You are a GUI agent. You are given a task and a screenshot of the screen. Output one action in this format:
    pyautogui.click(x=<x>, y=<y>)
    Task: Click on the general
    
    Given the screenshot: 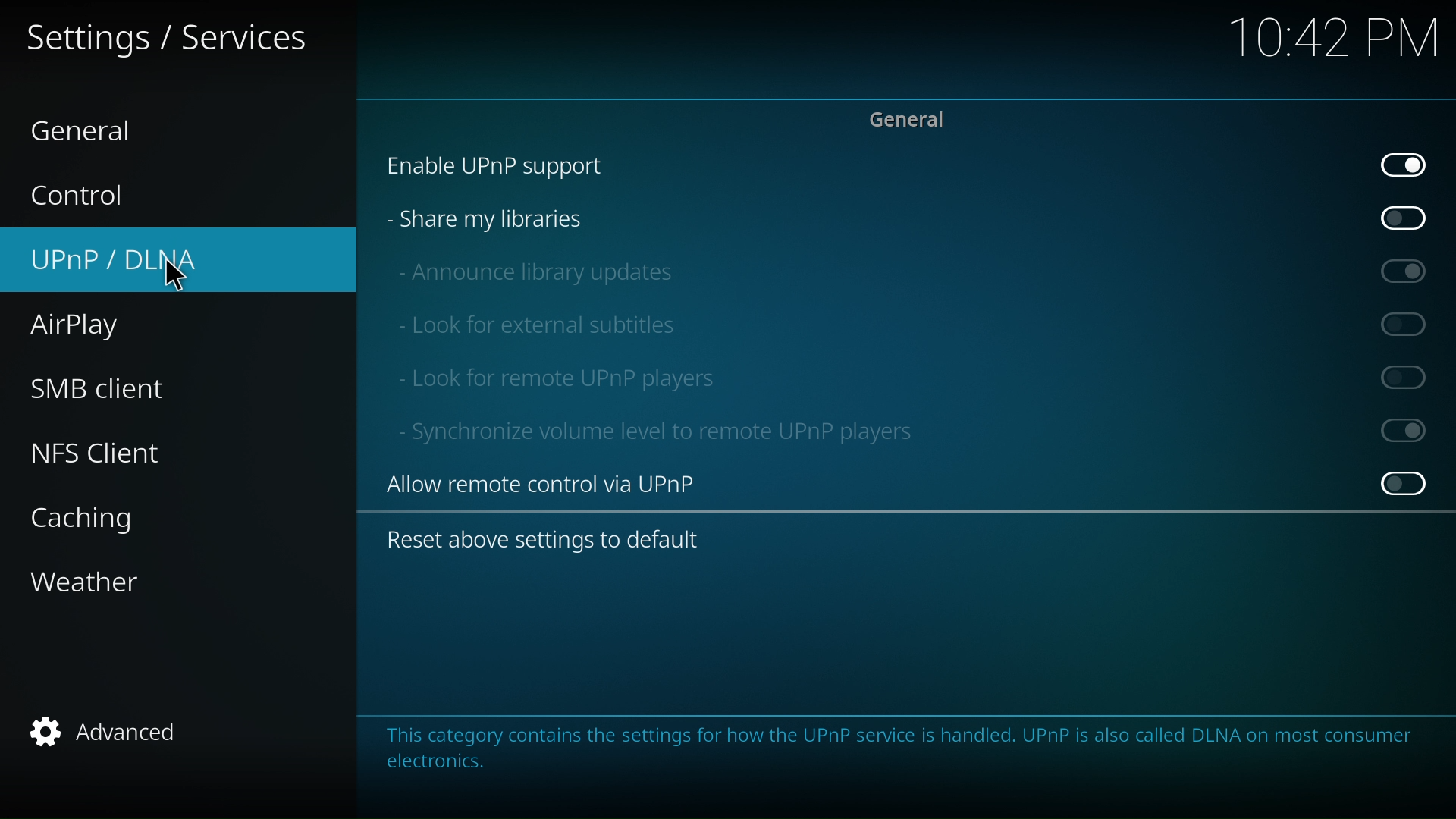 What is the action you would take?
    pyautogui.click(x=907, y=118)
    